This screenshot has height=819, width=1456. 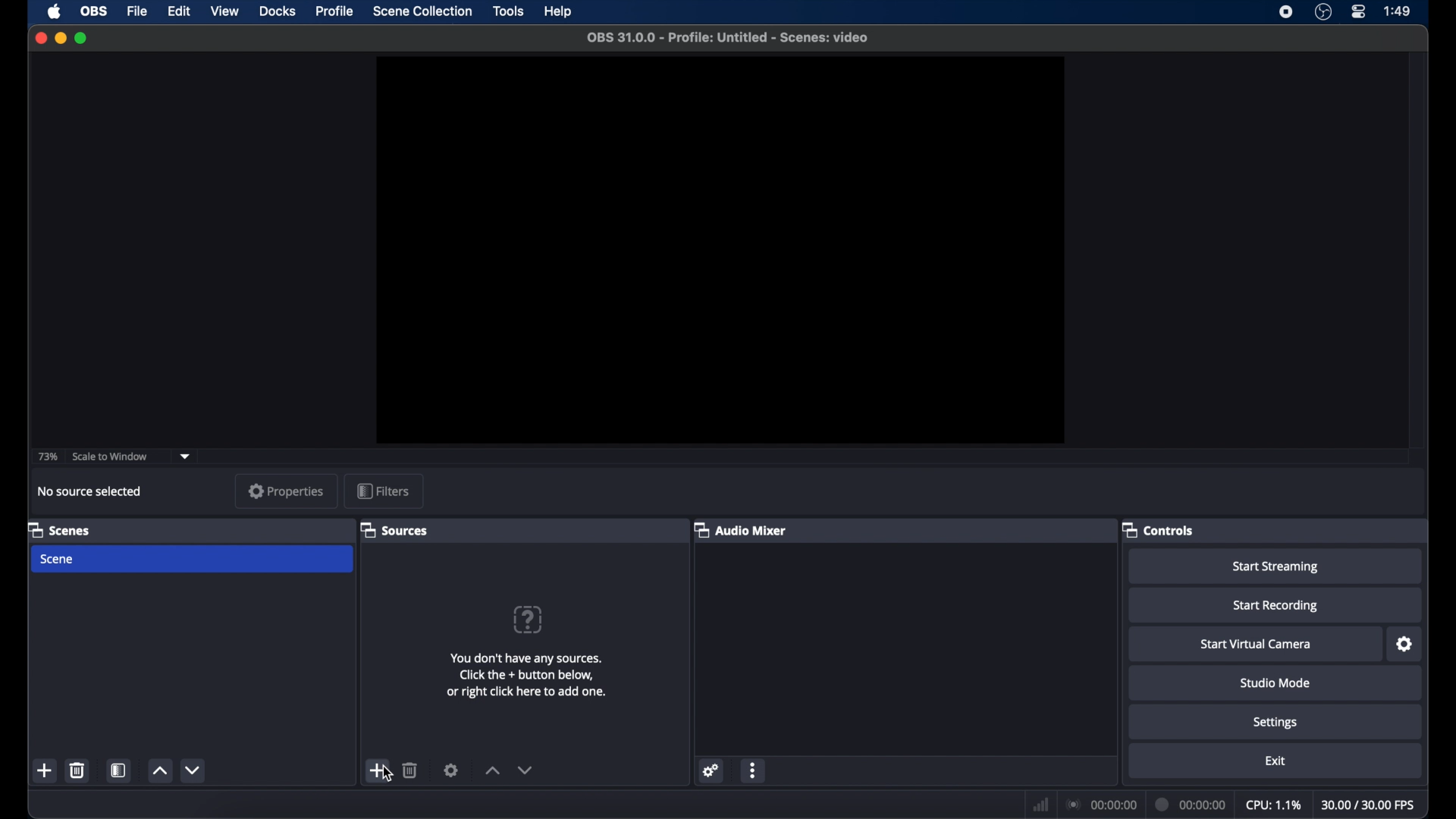 I want to click on preview, so click(x=720, y=250).